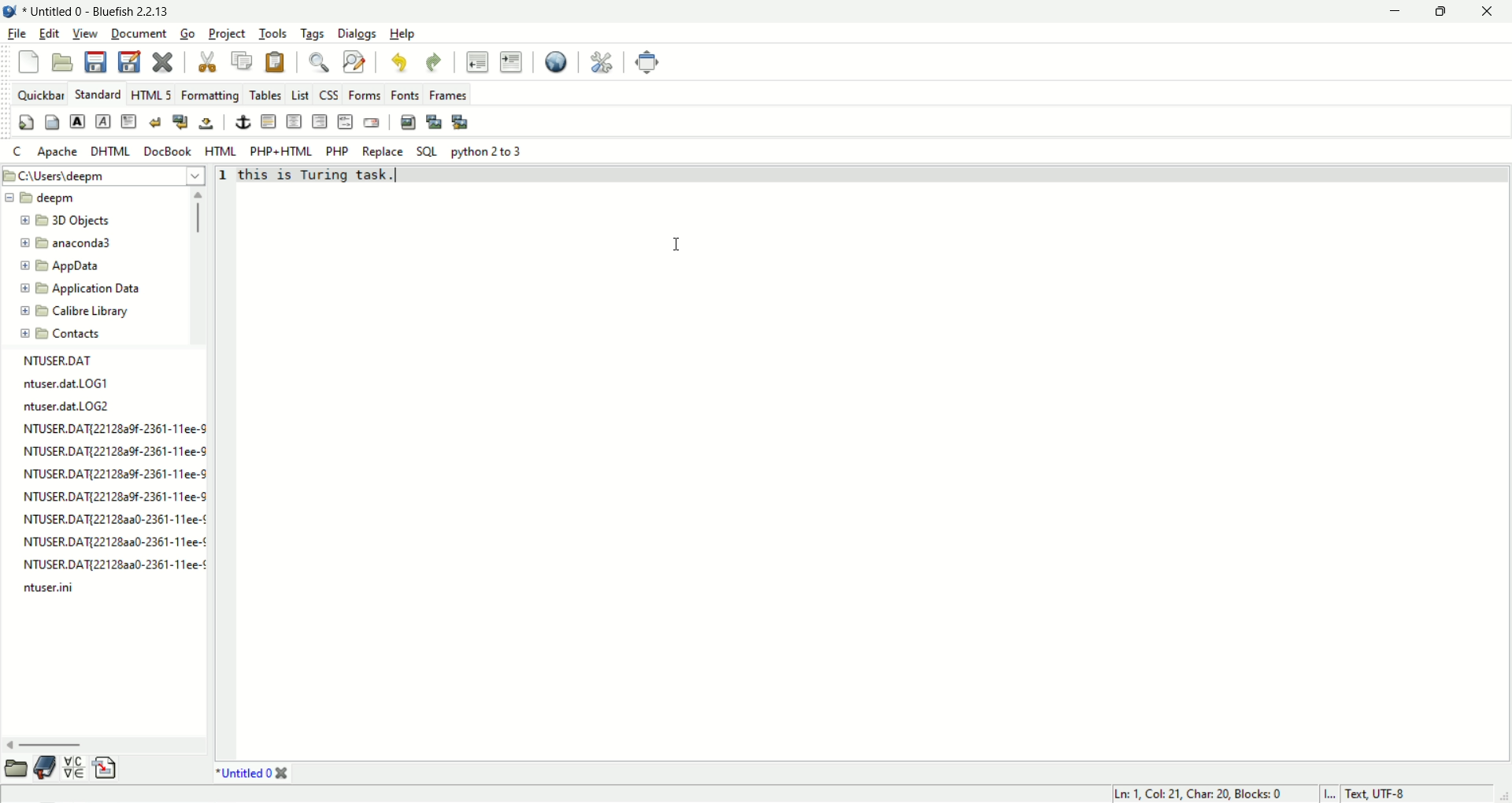  What do you see at coordinates (302, 96) in the screenshot?
I see `list` at bounding box center [302, 96].